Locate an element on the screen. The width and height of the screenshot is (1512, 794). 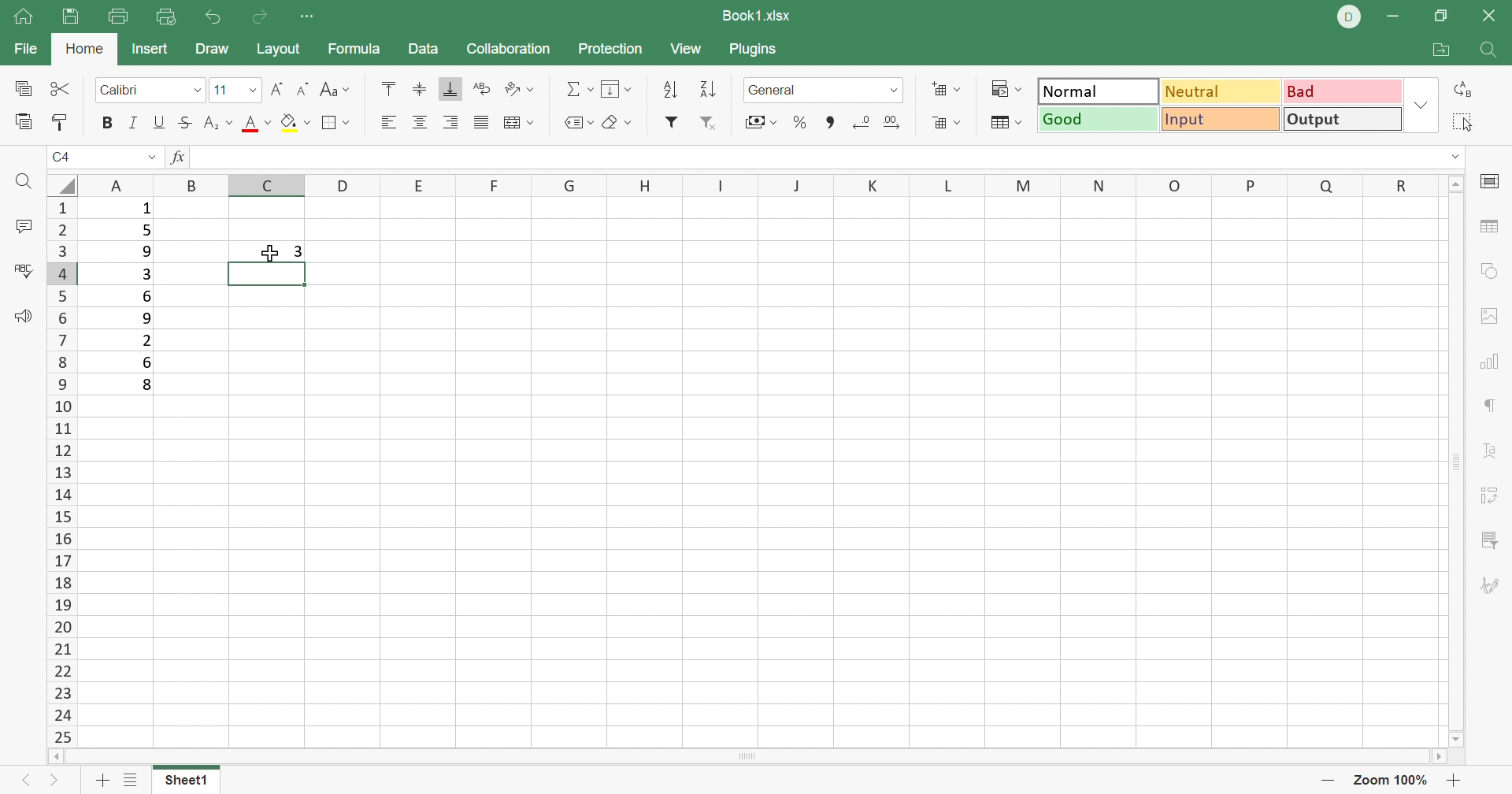
Protection is located at coordinates (609, 49).